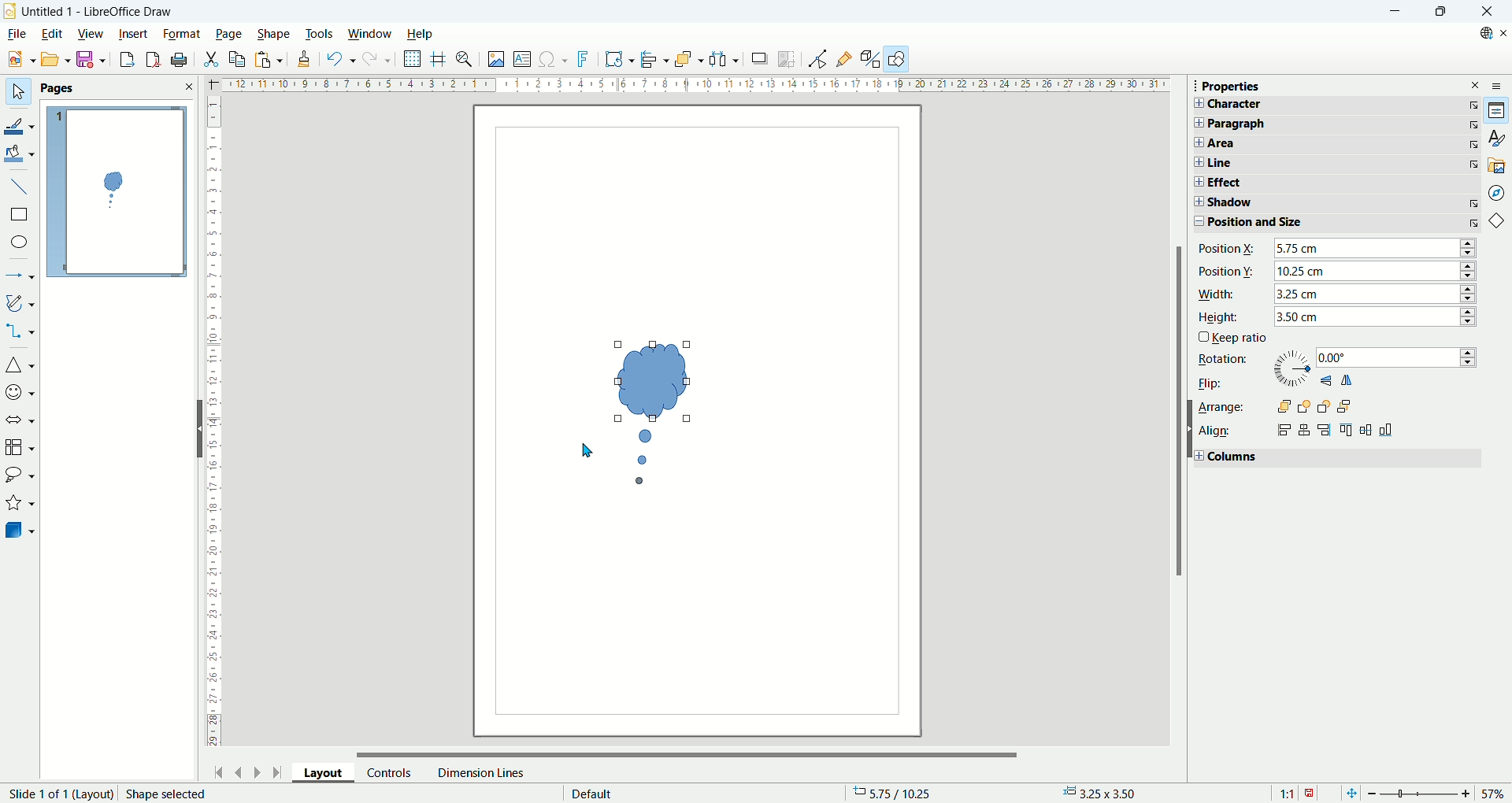 This screenshot has height=803, width=1512. What do you see at coordinates (134, 32) in the screenshot?
I see `insert` at bounding box center [134, 32].